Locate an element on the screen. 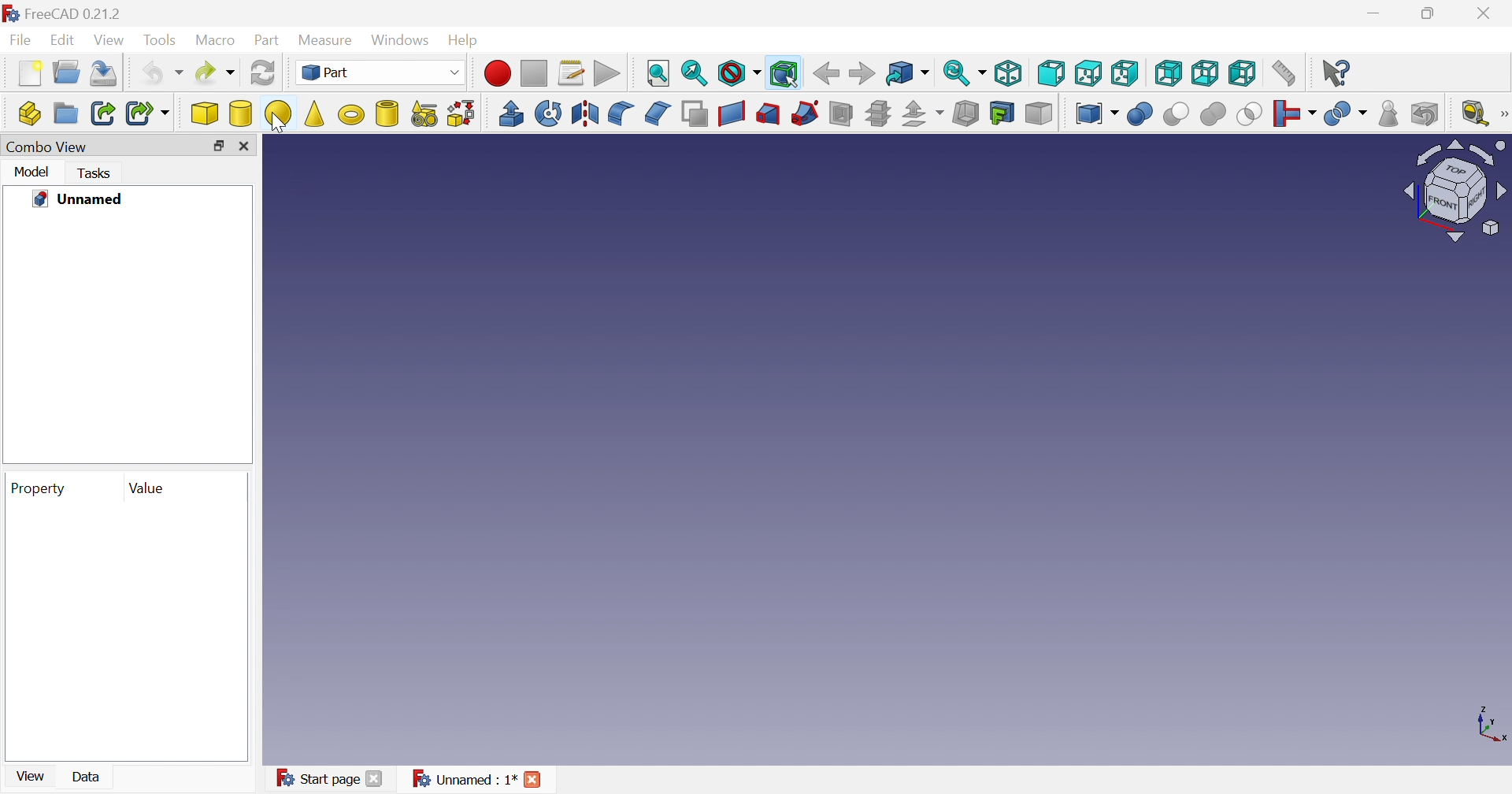  Create ruled surface is located at coordinates (731, 113).